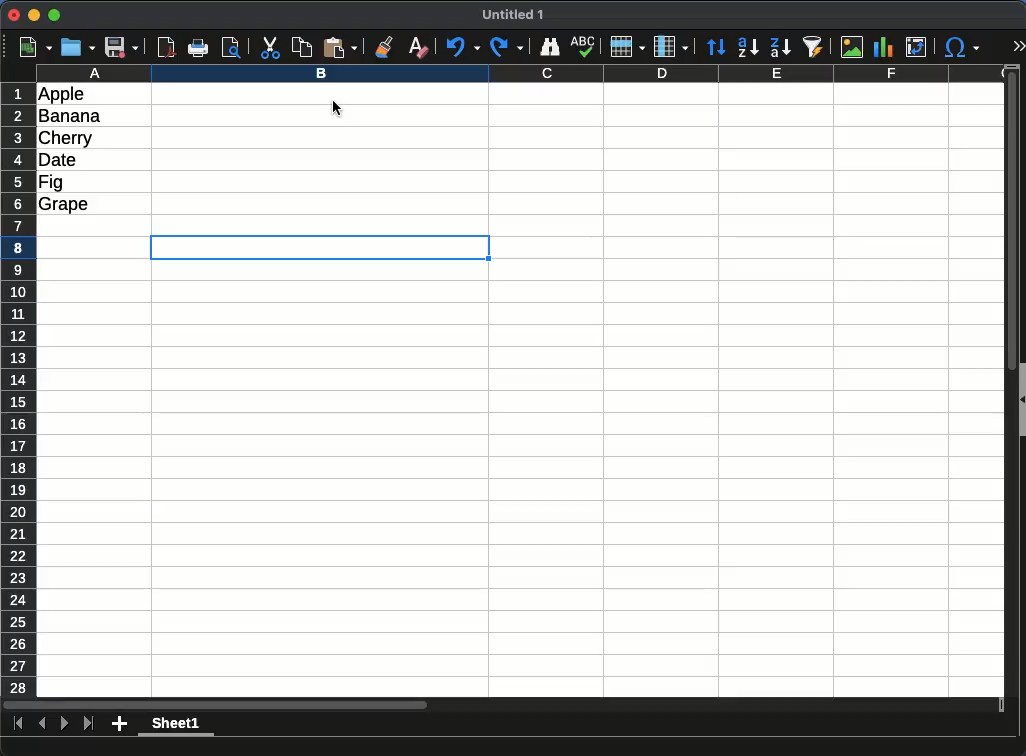 The height and width of the screenshot is (756, 1026). Describe the element at coordinates (65, 724) in the screenshot. I see `next sheet` at that location.